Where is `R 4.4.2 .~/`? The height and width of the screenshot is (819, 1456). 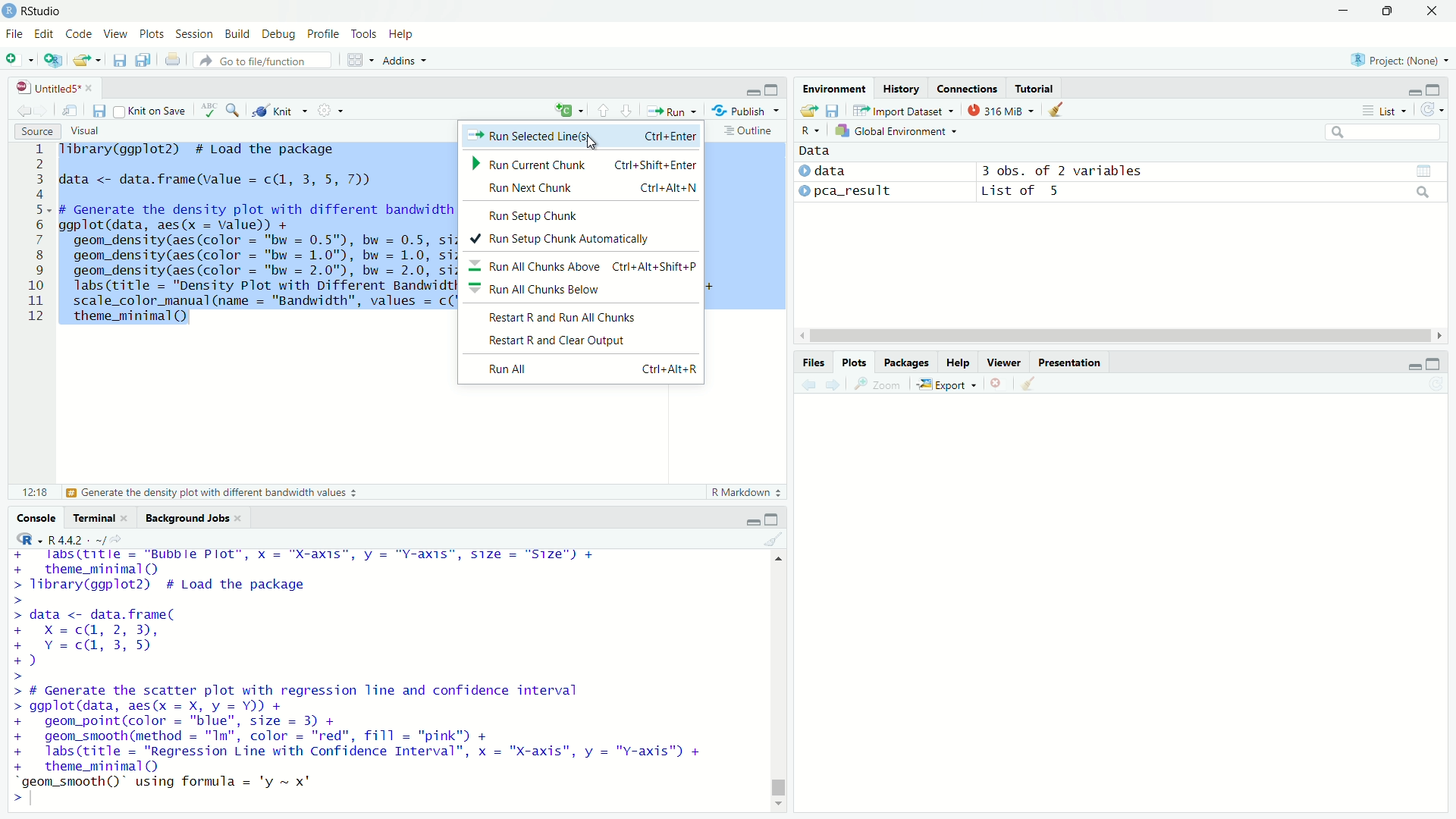
R 4.4.2 .~/ is located at coordinates (77, 538).